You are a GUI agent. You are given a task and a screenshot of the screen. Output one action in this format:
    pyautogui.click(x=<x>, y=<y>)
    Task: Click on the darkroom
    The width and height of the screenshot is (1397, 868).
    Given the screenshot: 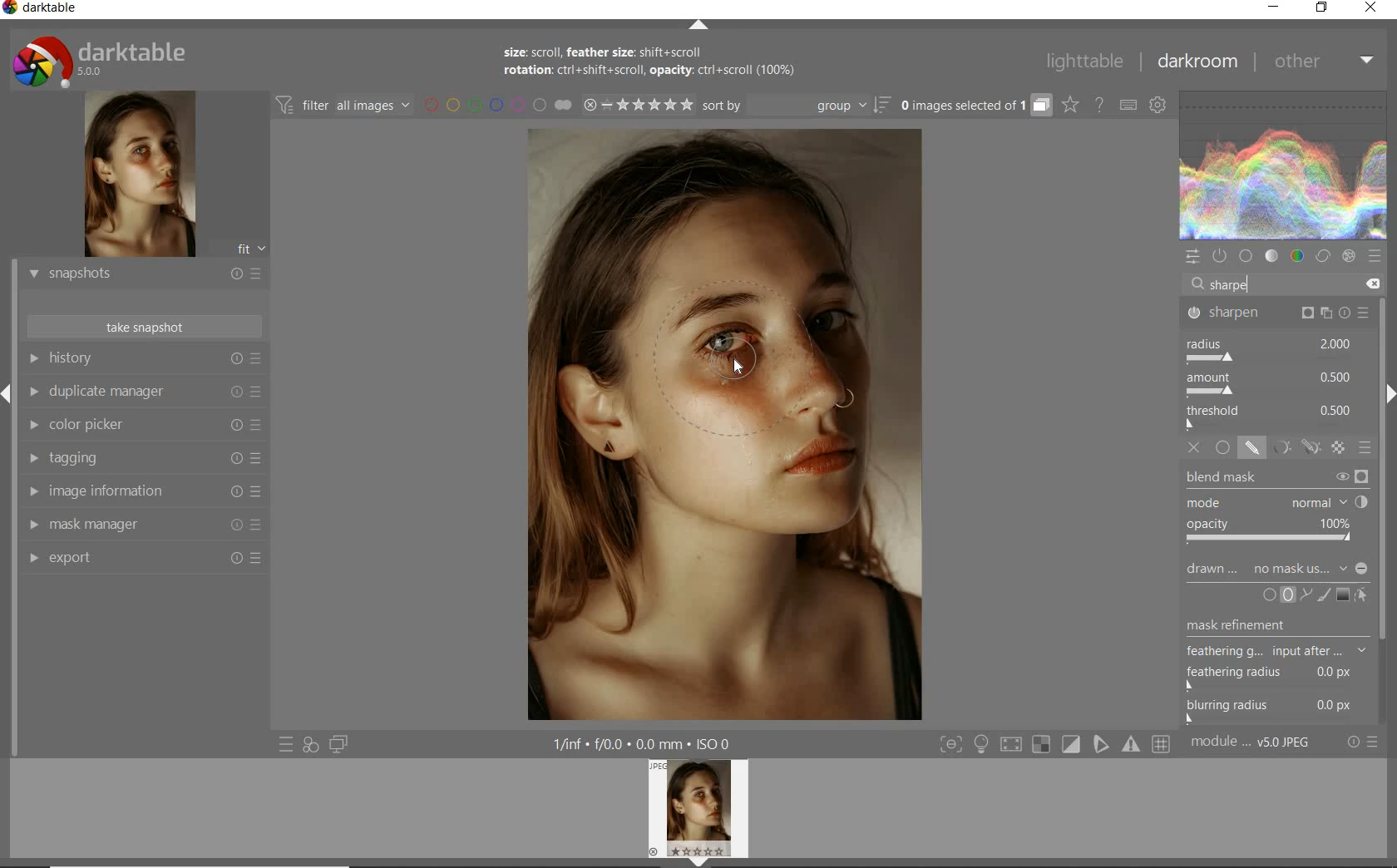 What is the action you would take?
    pyautogui.click(x=1198, y=64)
    